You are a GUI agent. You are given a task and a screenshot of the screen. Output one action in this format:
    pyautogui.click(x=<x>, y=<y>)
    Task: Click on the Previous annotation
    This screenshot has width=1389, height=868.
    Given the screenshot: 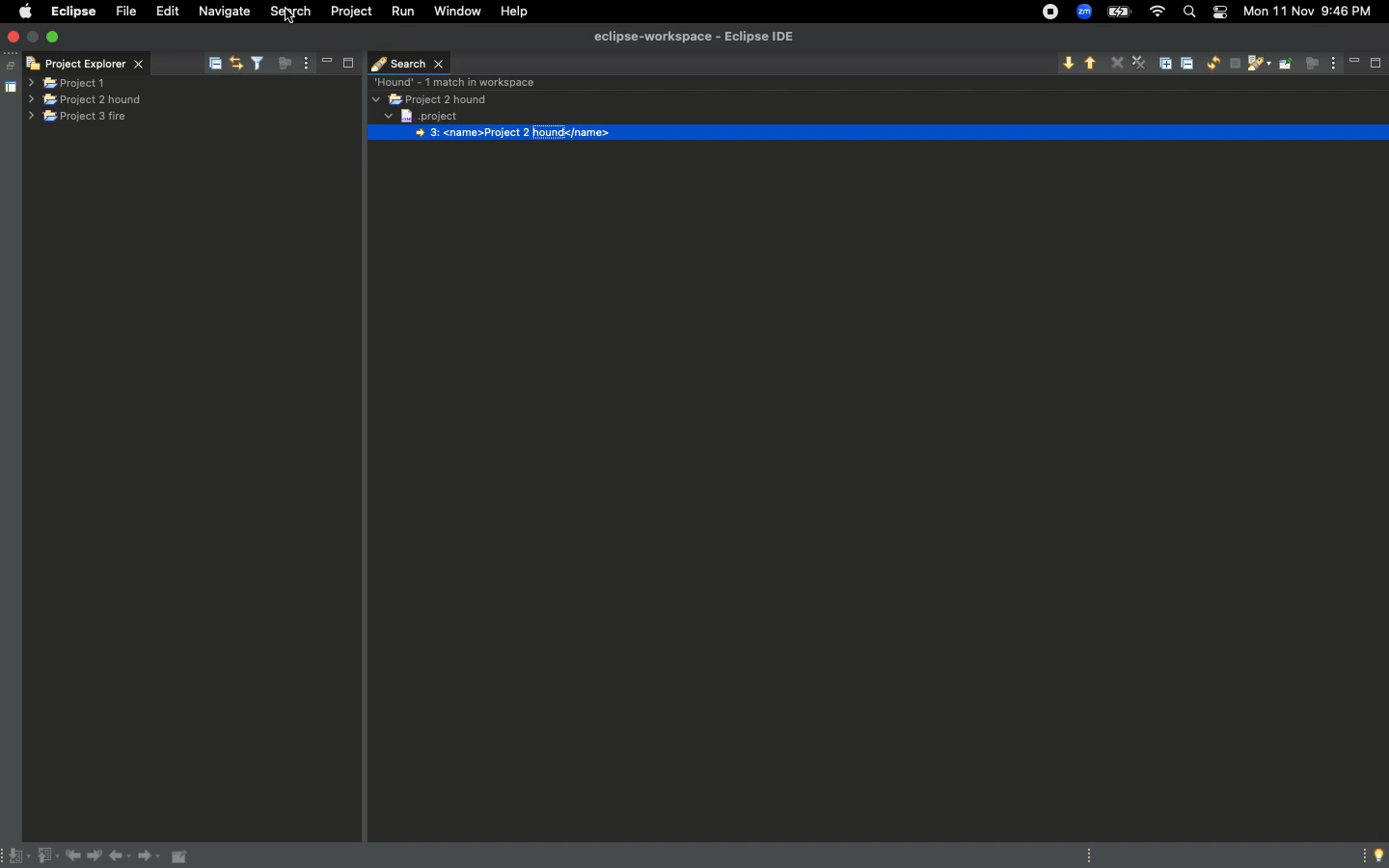 What is the action you would take?
    pyautogui.click(x=46, y=856)
    